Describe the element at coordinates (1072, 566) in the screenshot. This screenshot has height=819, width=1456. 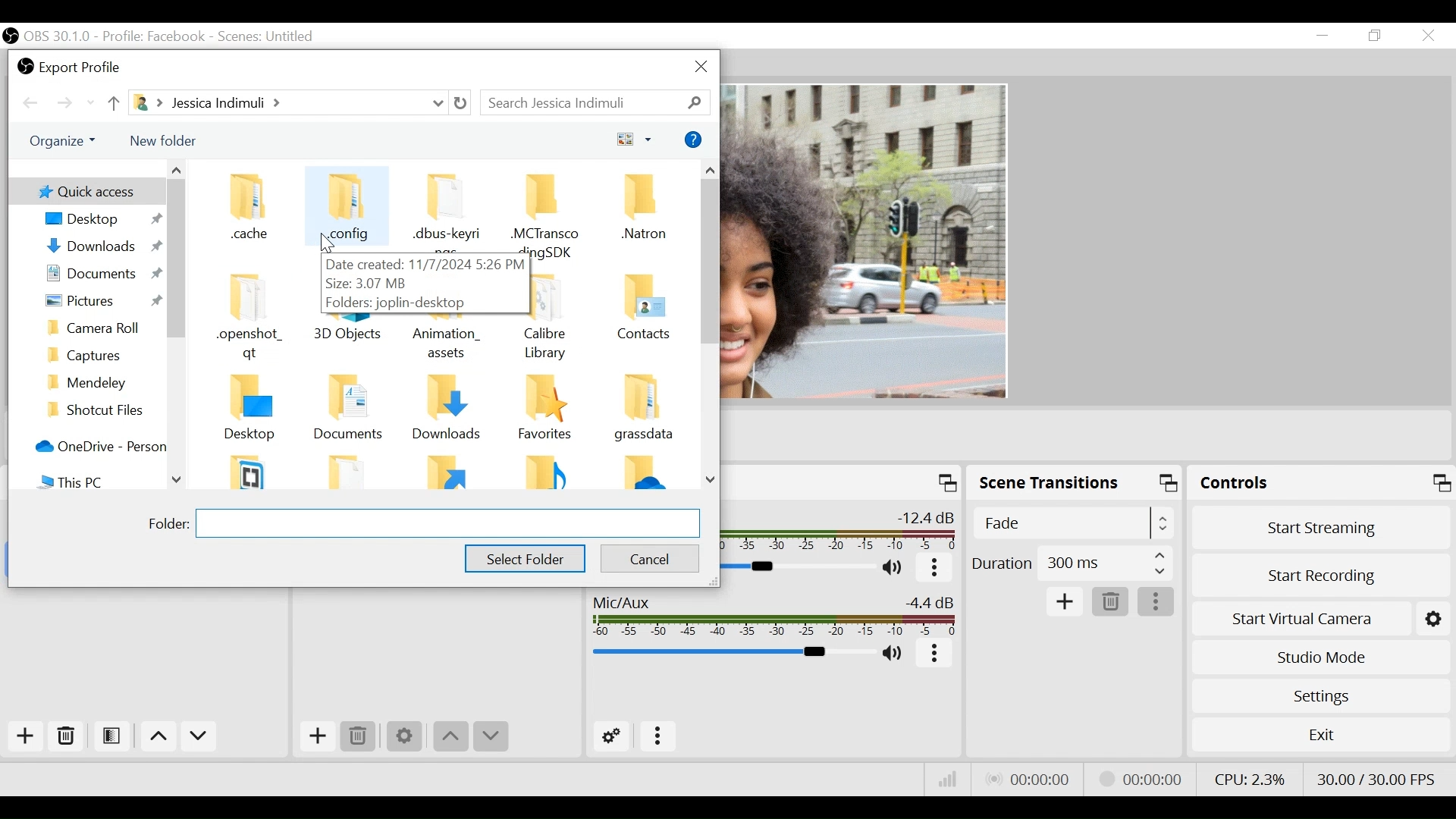
I see `Duration` at that location.